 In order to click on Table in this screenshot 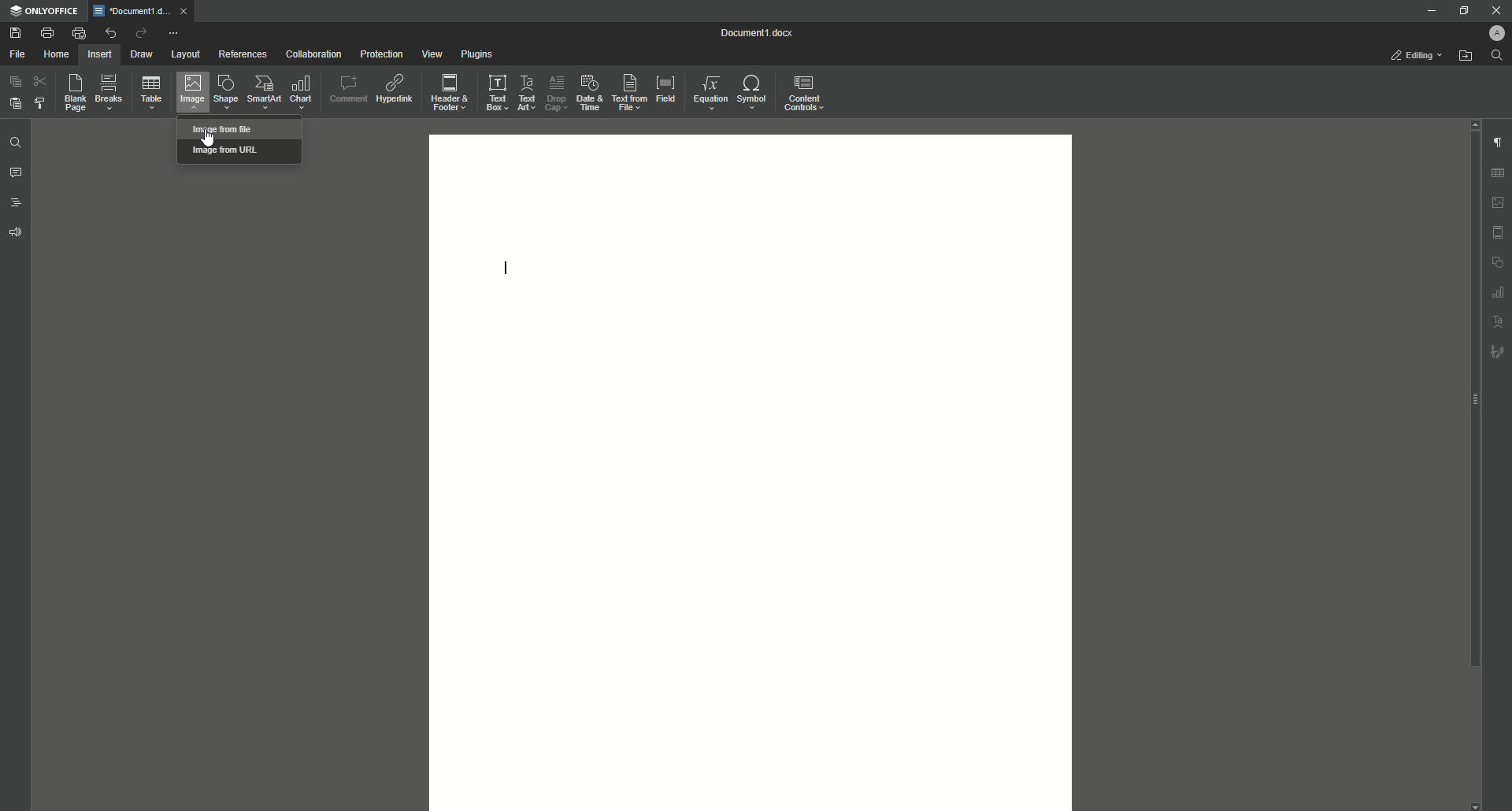, I will do `click(152, 93)`.